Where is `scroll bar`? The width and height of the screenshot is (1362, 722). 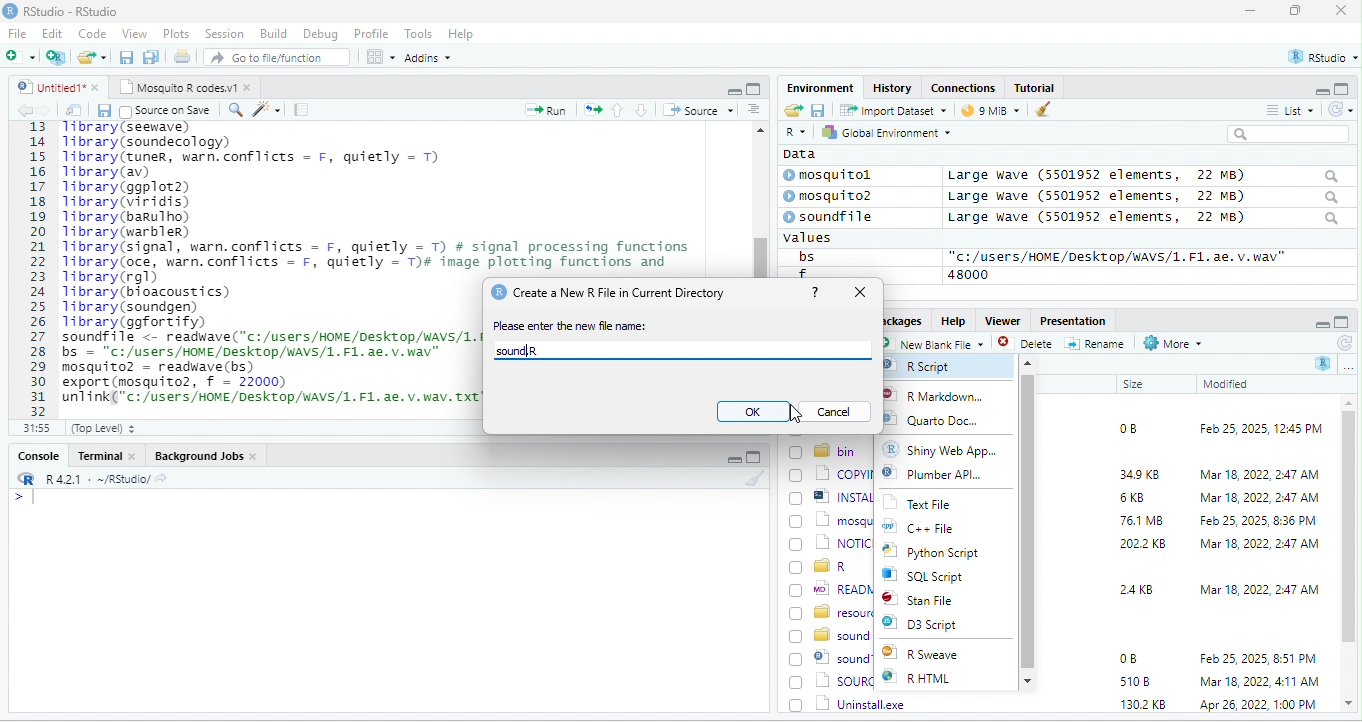 scroll bar is located at coordinates (1029, 520).